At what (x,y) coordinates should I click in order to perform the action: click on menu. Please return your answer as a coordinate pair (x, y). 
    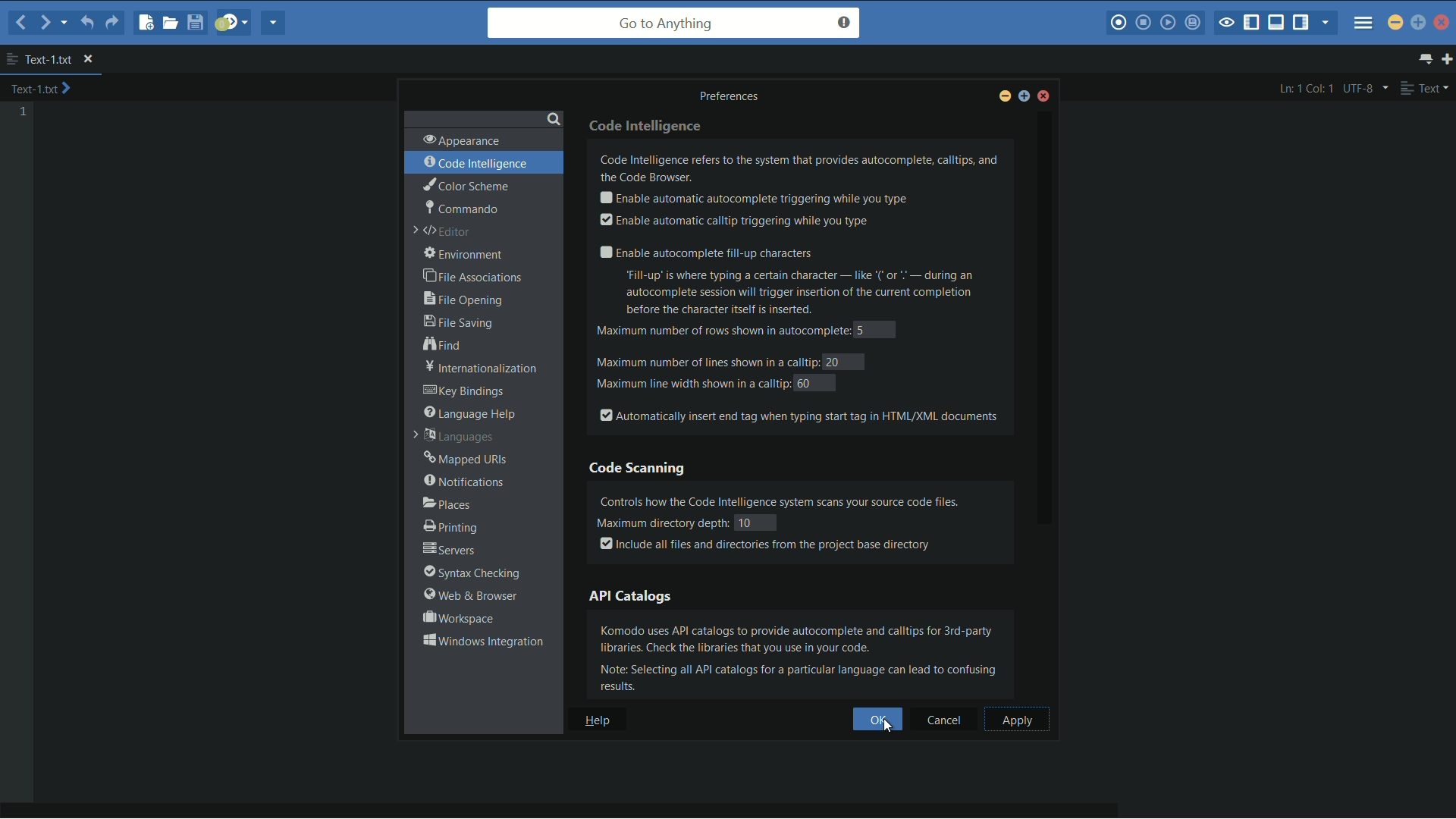
    Looking at the image, I should click on (1363, 18).